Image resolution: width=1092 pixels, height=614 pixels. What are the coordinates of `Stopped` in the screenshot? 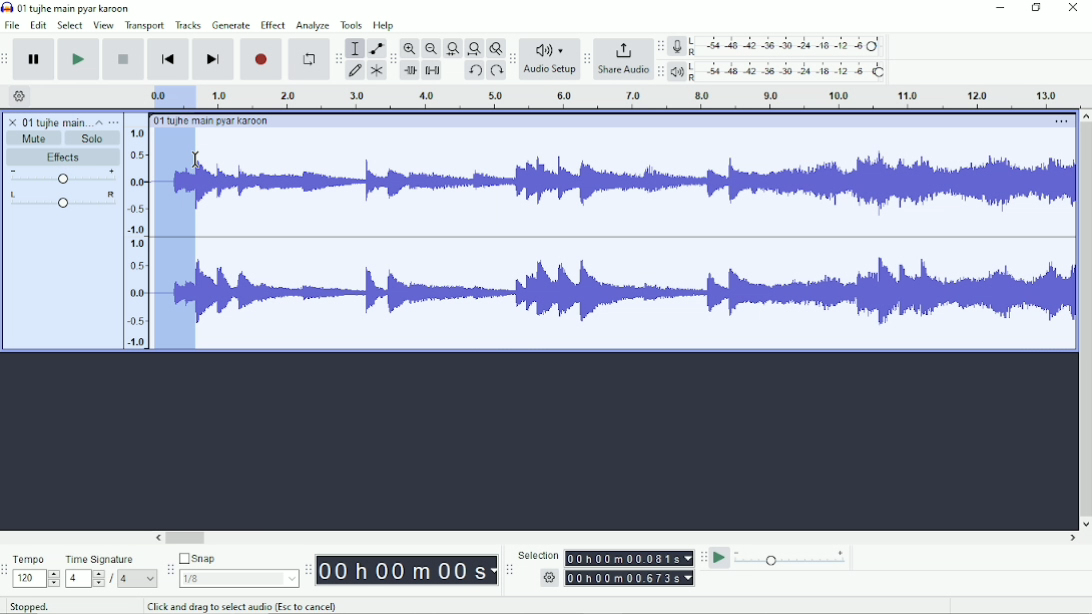 It's located at (43, 604).